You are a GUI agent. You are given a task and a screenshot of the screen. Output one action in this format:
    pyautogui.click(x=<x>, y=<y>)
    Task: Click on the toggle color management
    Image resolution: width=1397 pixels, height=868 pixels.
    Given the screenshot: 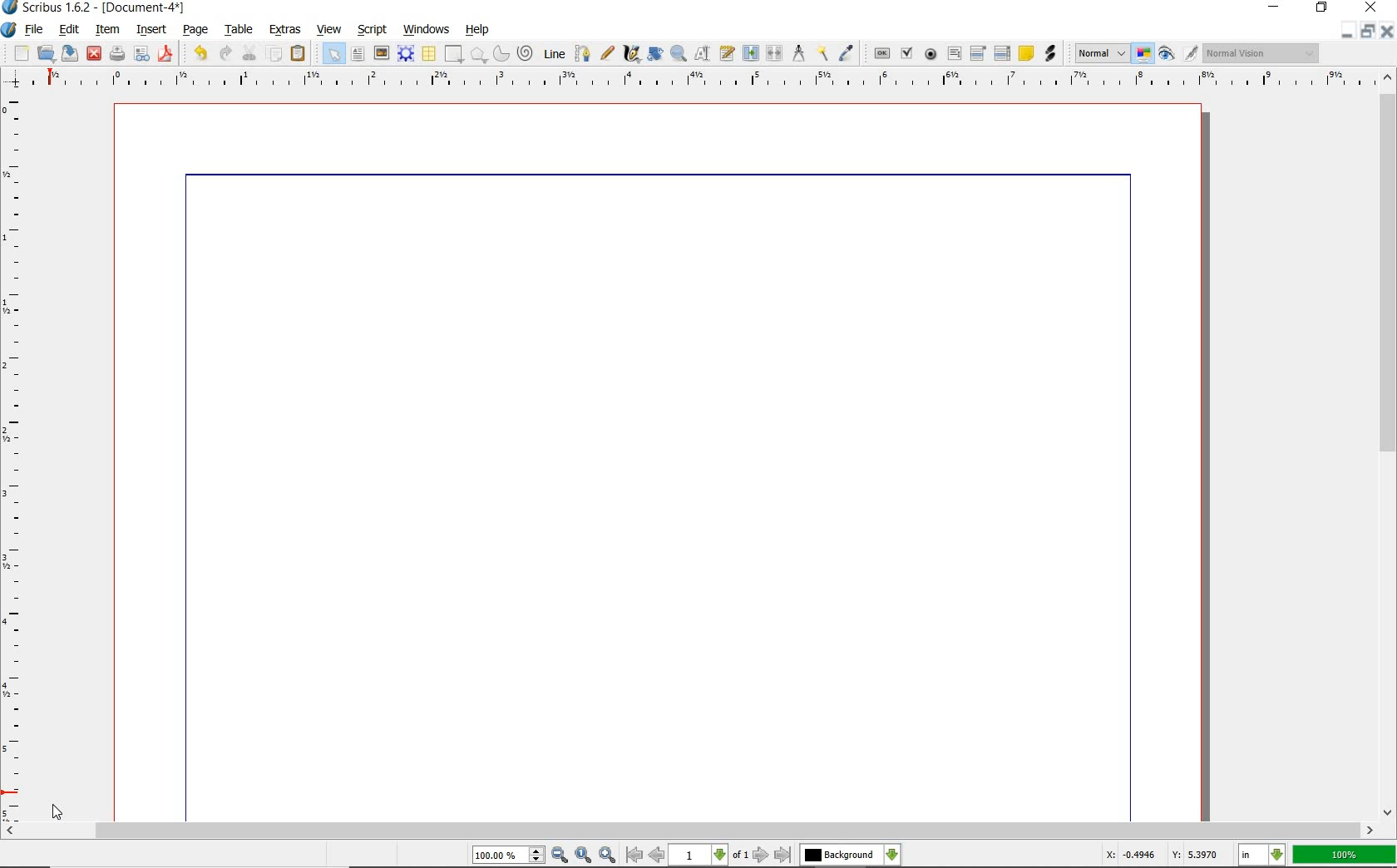 What is the action you would take?
    pyautogui.click(x=1144, y=55)
    